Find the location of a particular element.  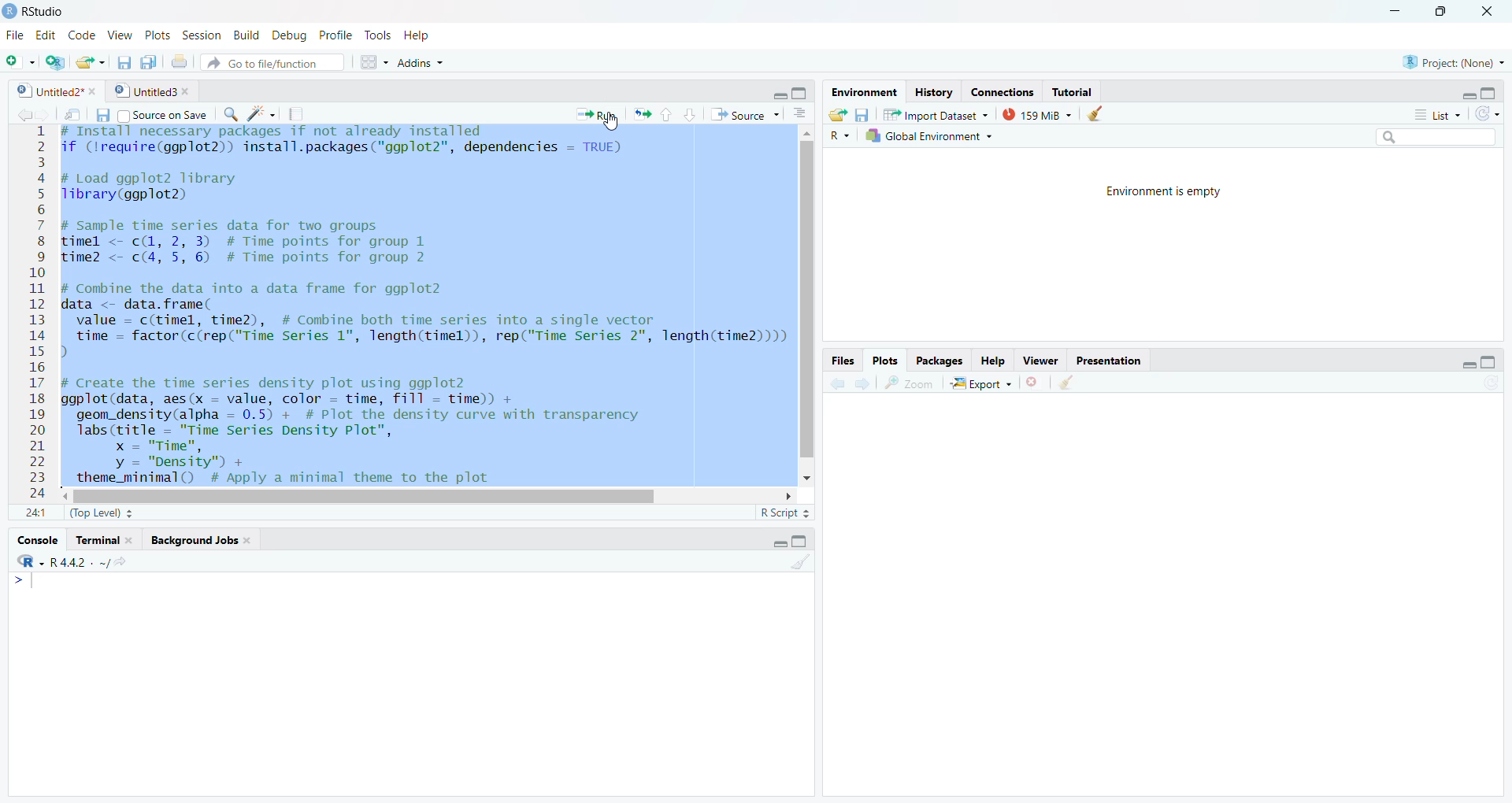

View is located at coordinates (121, 35).